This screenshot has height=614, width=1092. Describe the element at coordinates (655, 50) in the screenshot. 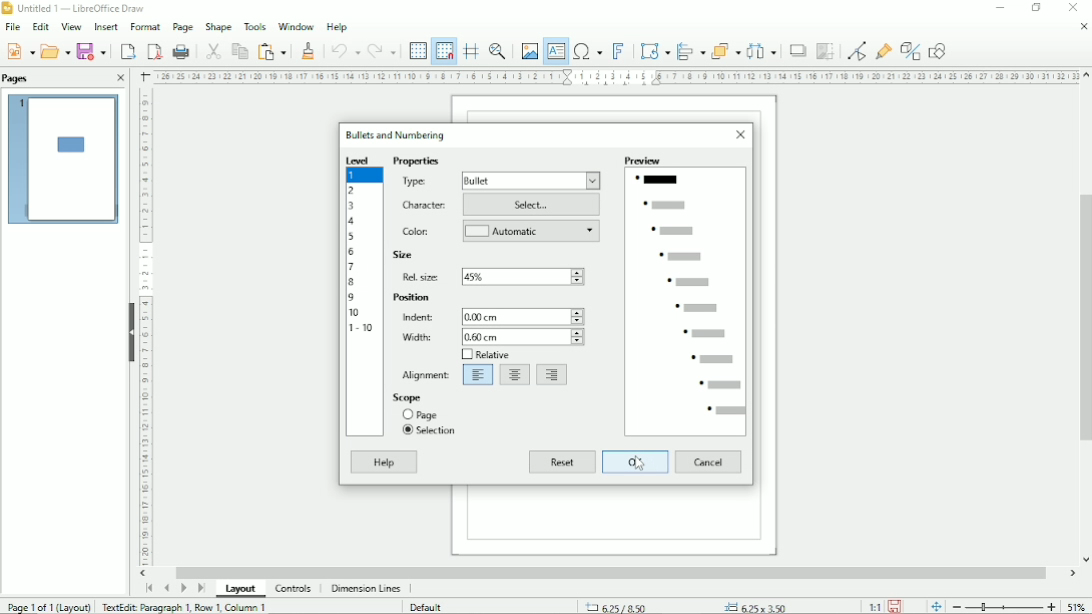

I see `Transformation` at that location.